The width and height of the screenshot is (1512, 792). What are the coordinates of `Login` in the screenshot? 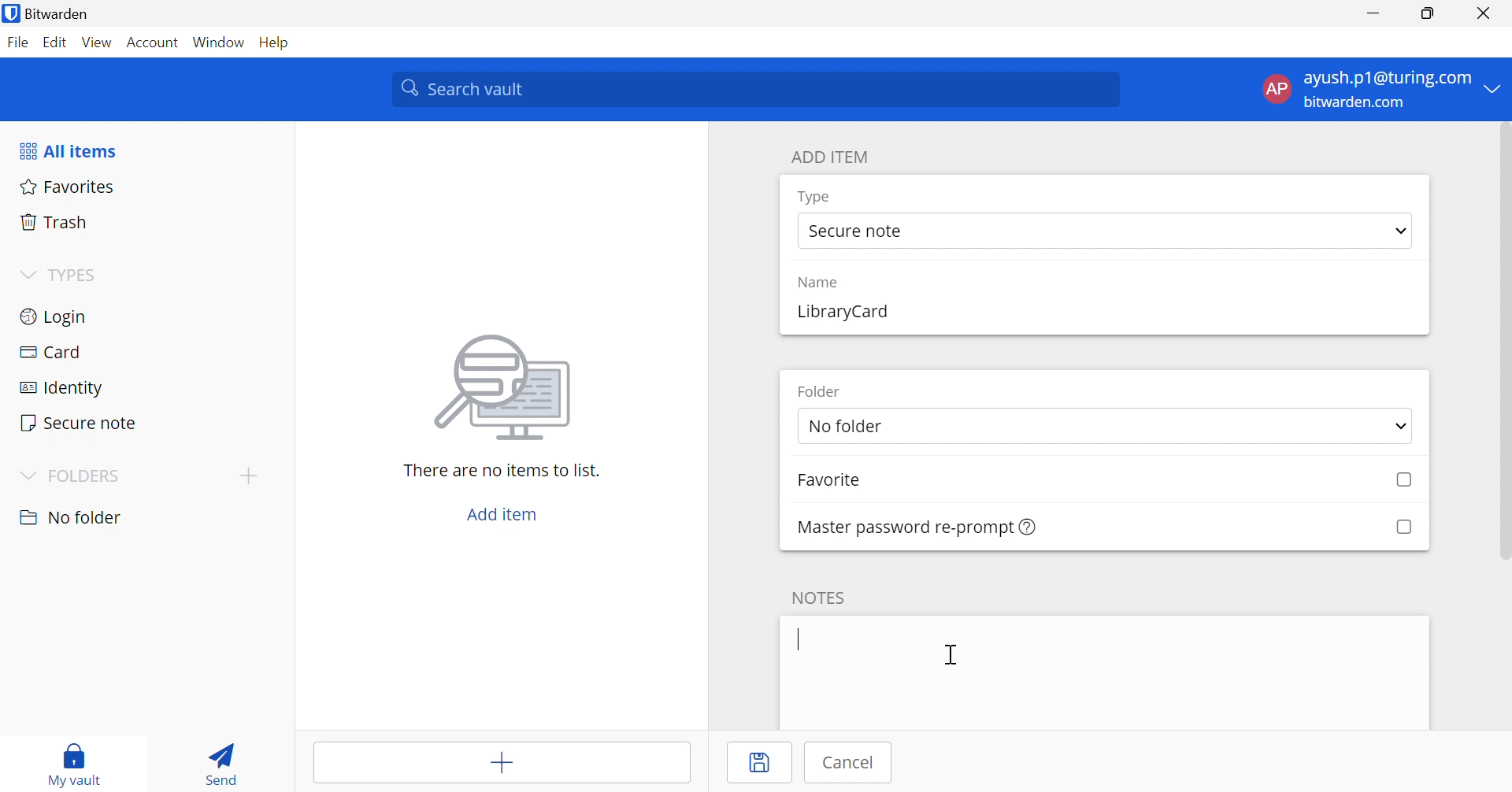 It's located at (143, 316).